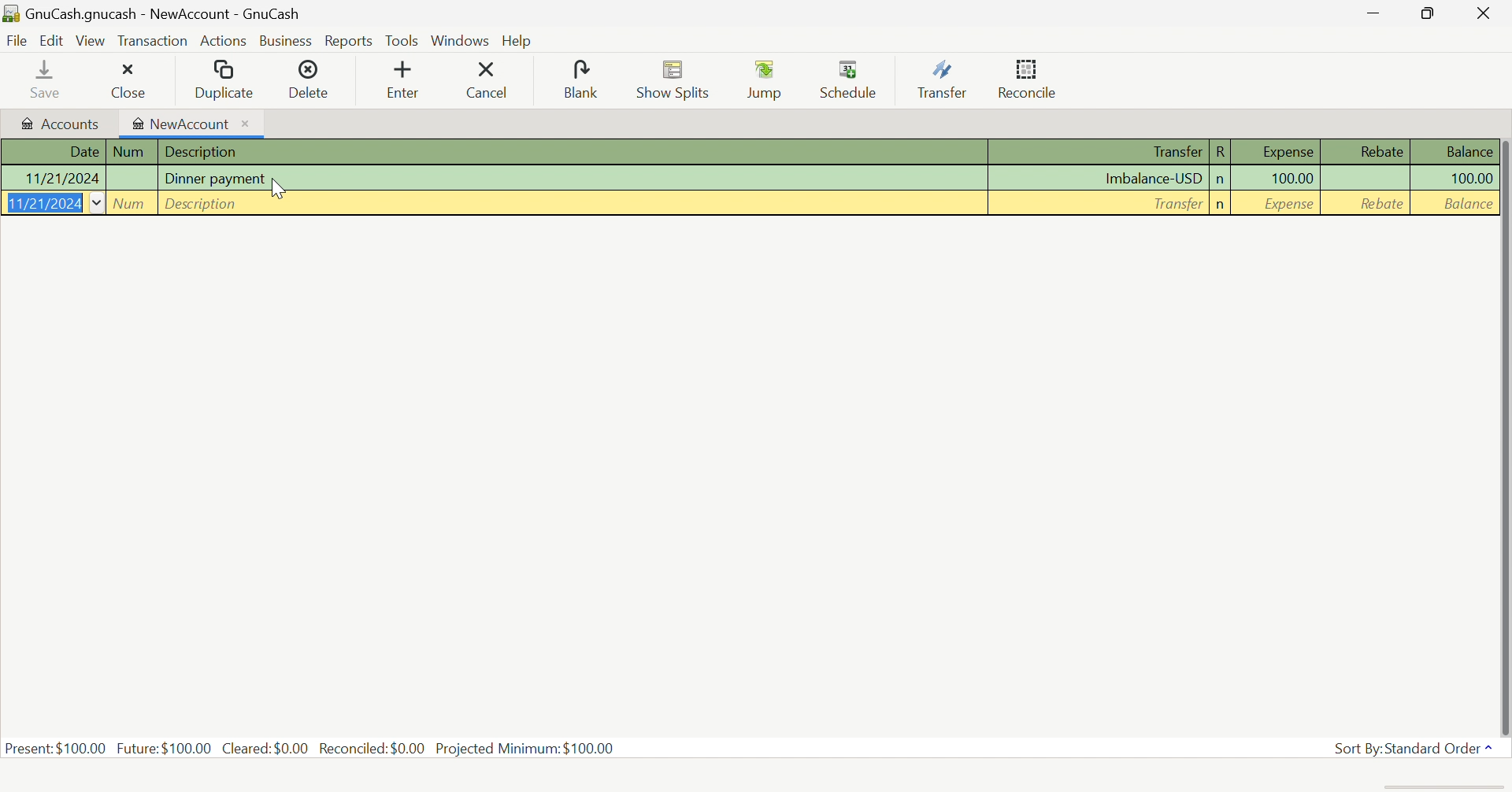 This screenshot has width=1512, height=792. What do you see at coordinates (131, 204) in the screenshot?
I see `Num` at bounding box center [131, 204].